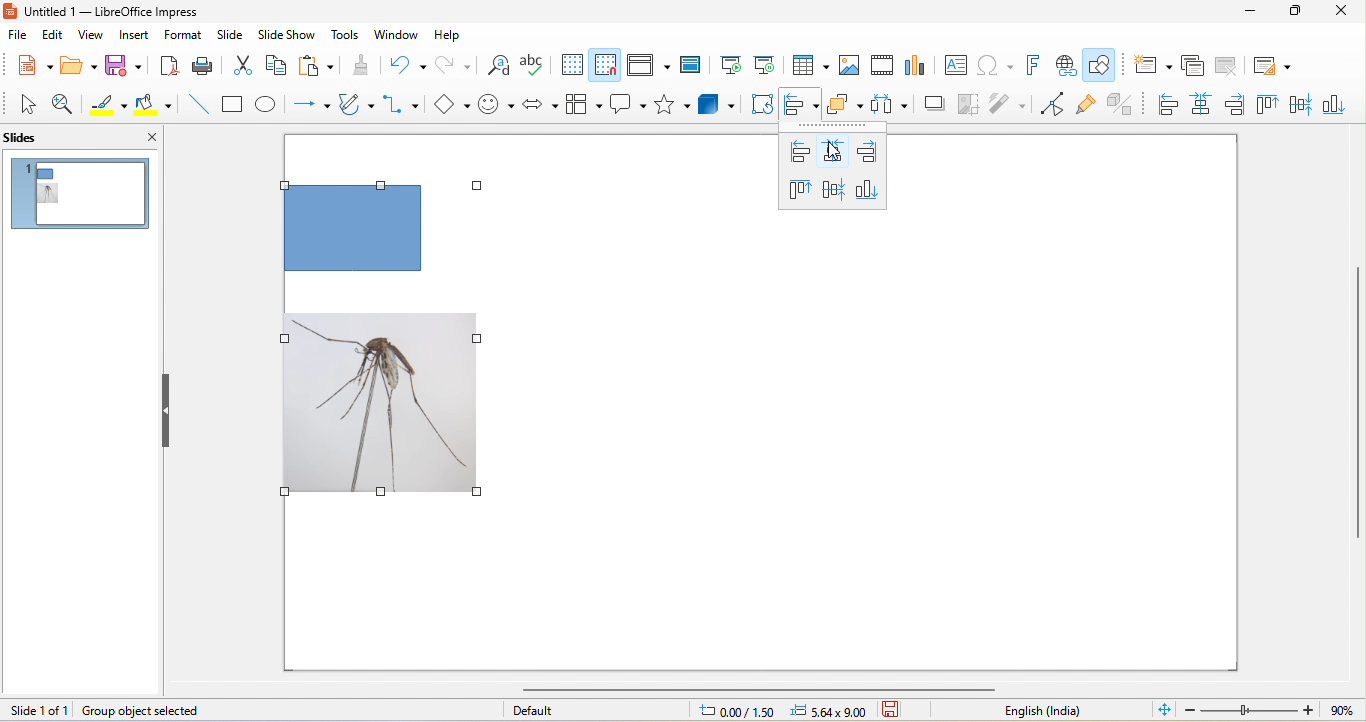 This screenshot has height=722, width=1366. Describe the element at coordinates (733, 65) in the screenshot. I see `start from first slide` at that location.